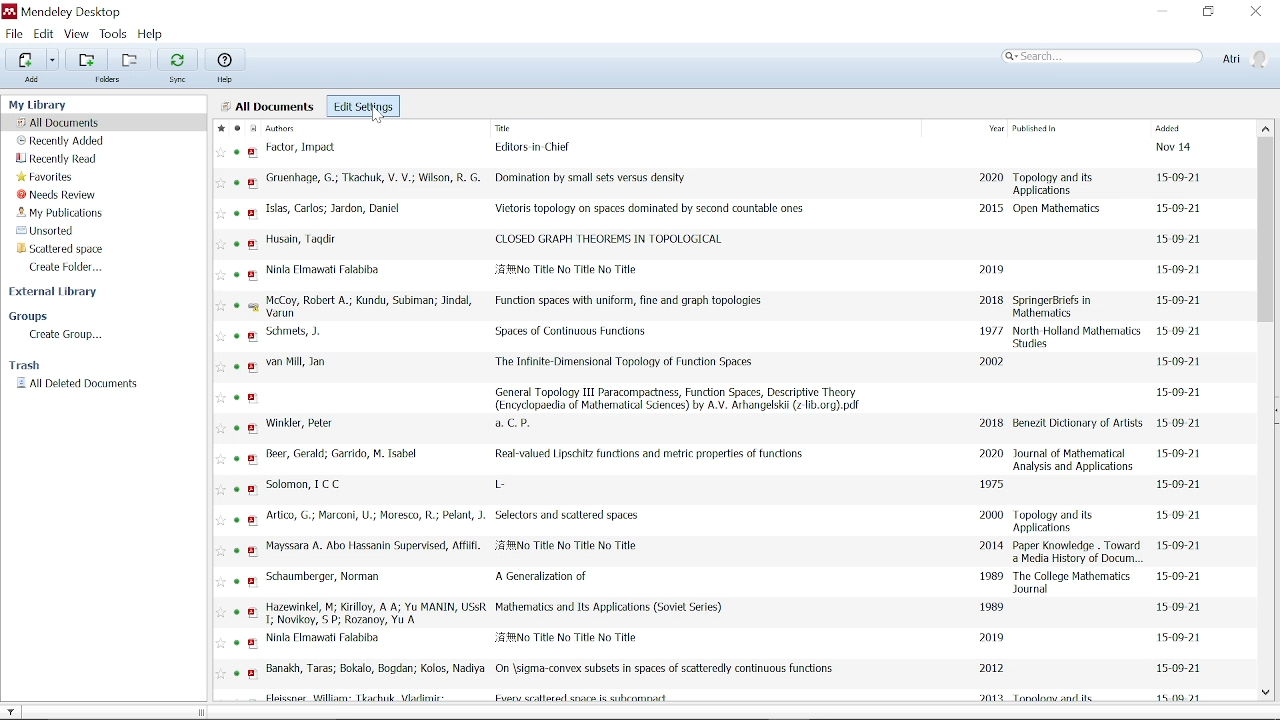 The height and width of the screenshot is (720, 1280). What do you see at coordinates (227, 80) in the screenshot?
I see `Help` at bounding box center [227, 80].